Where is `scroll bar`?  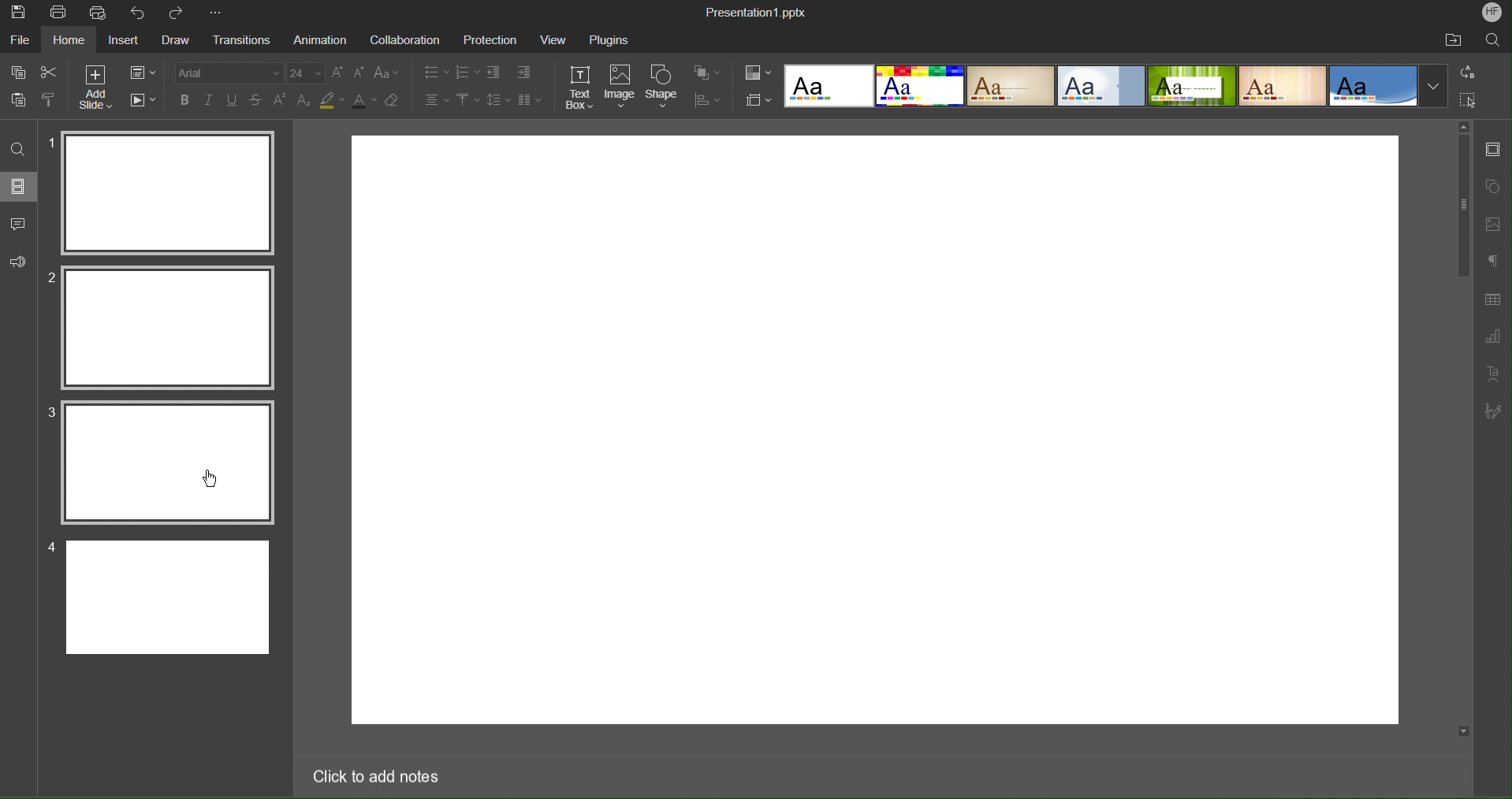 scroll bar is located at coordinates (1465, 426).